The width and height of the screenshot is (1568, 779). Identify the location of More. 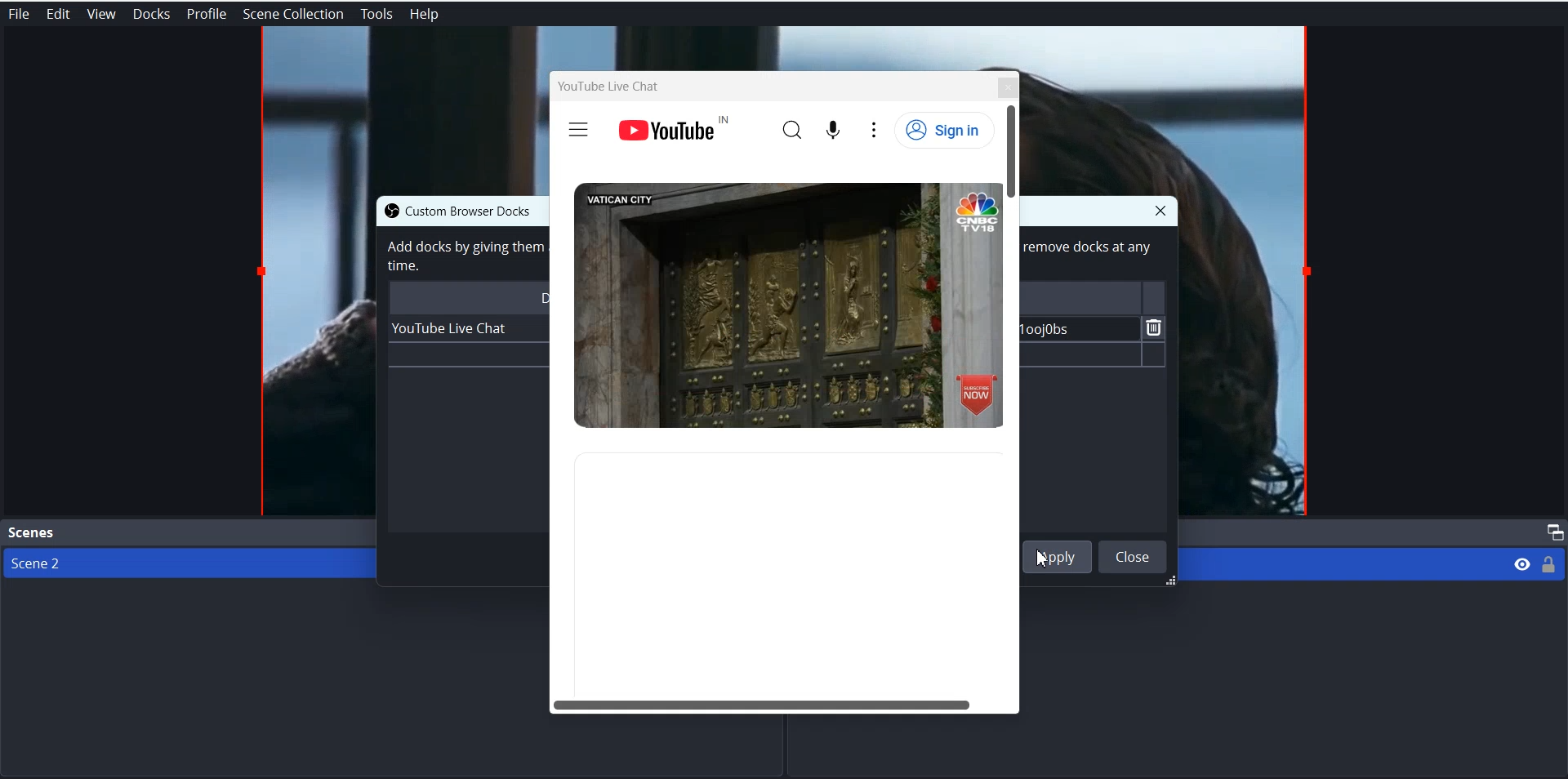
(873, 130).